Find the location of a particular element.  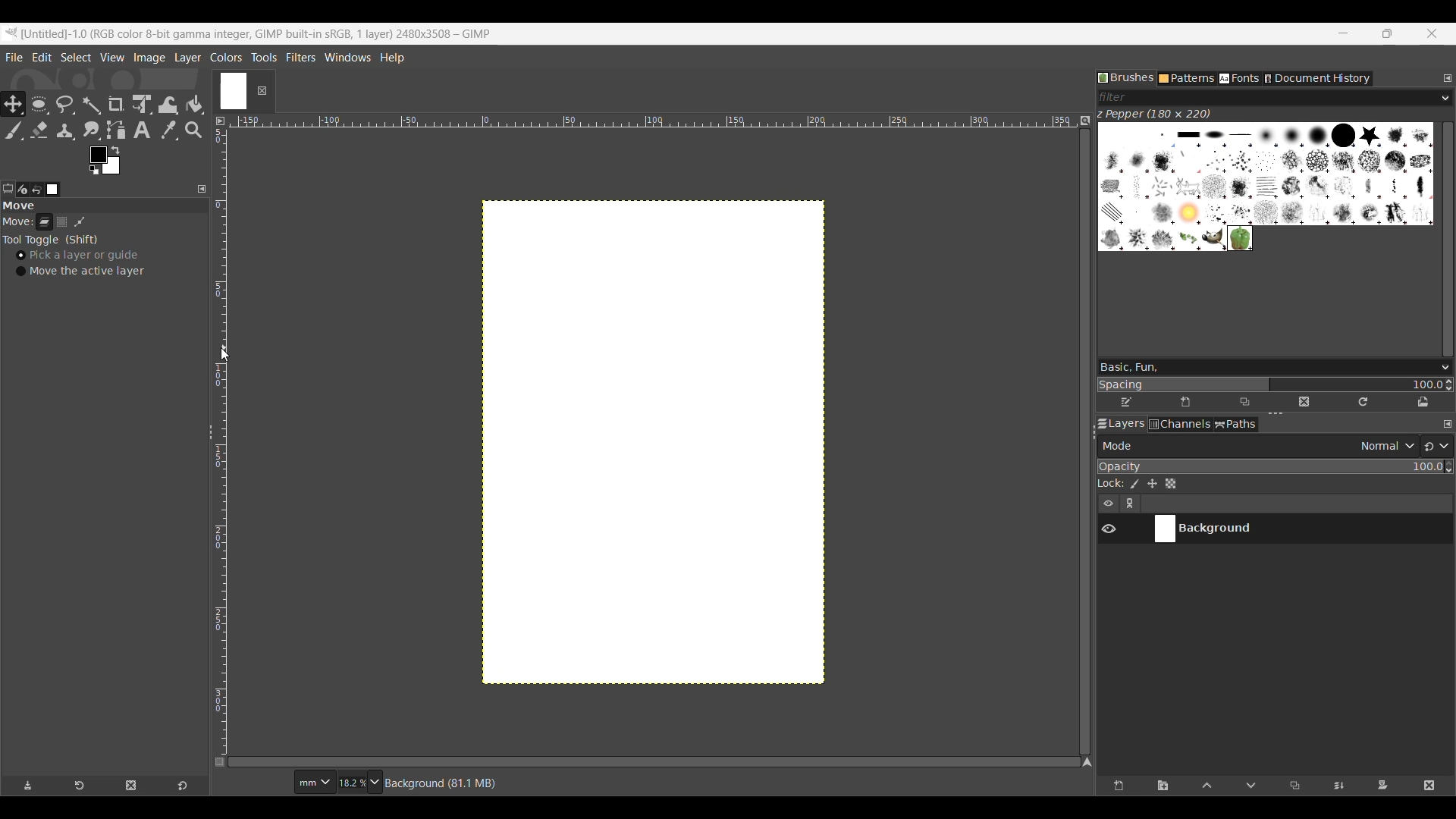

Image menu is located at coordinates (149, 58).